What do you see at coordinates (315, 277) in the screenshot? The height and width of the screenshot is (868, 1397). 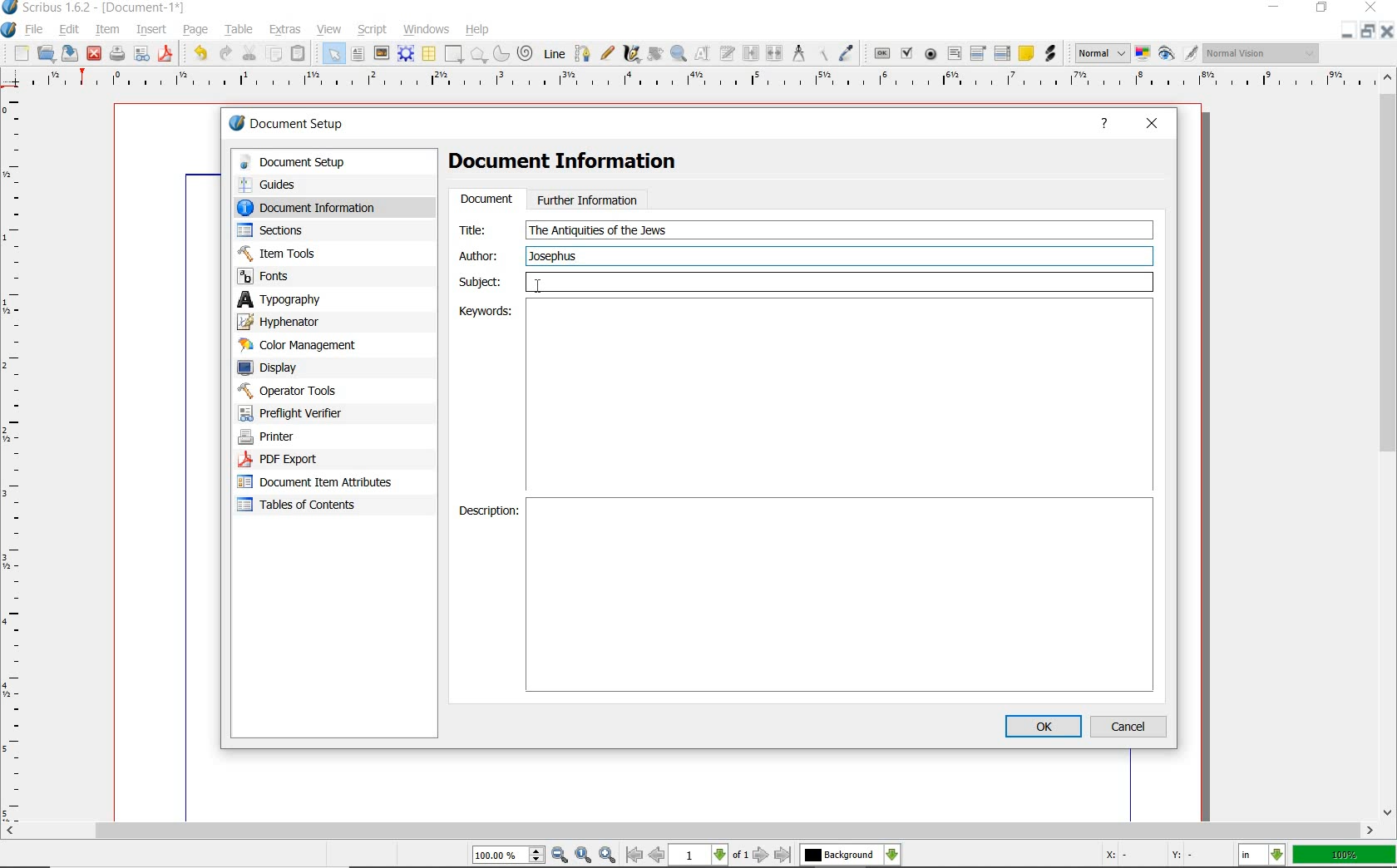 I see `fonts` at bounding box center [315, 277].